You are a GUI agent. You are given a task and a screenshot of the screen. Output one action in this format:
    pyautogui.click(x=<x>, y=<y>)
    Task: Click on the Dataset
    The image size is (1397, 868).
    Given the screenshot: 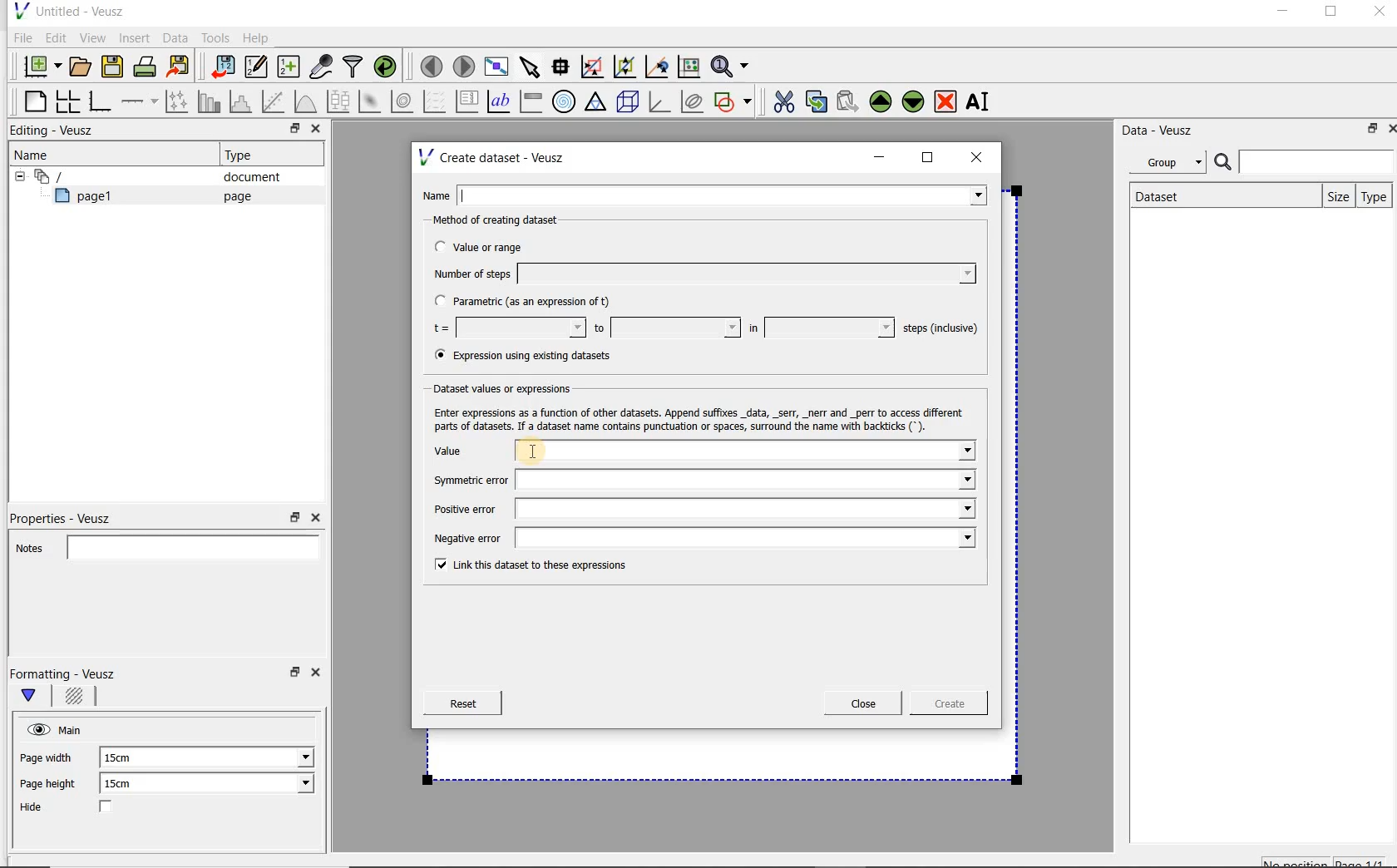 What is the action you would take?
    pyautogui.click(x=1166, y=195)
    